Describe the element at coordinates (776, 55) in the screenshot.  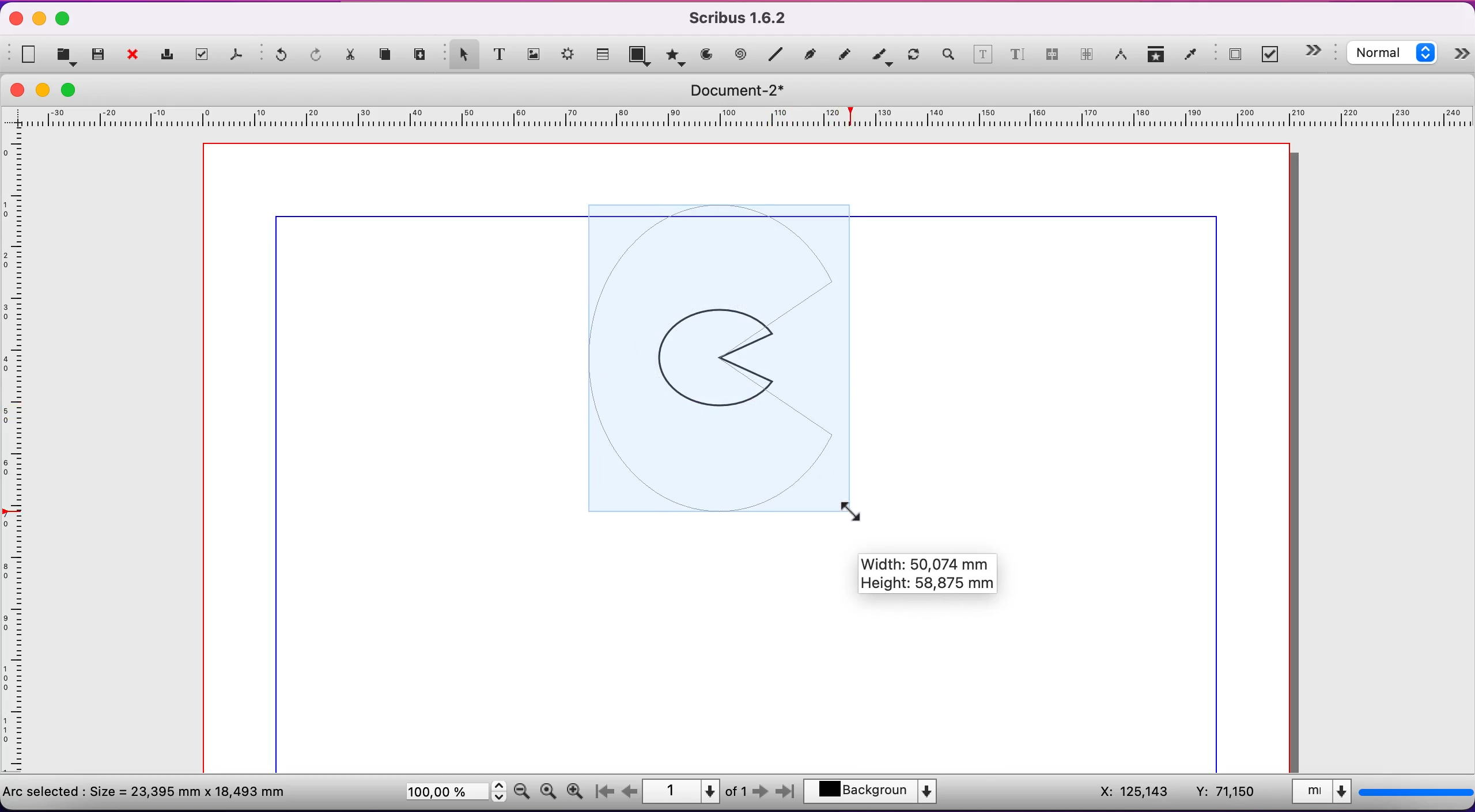
I see `line` at that location.